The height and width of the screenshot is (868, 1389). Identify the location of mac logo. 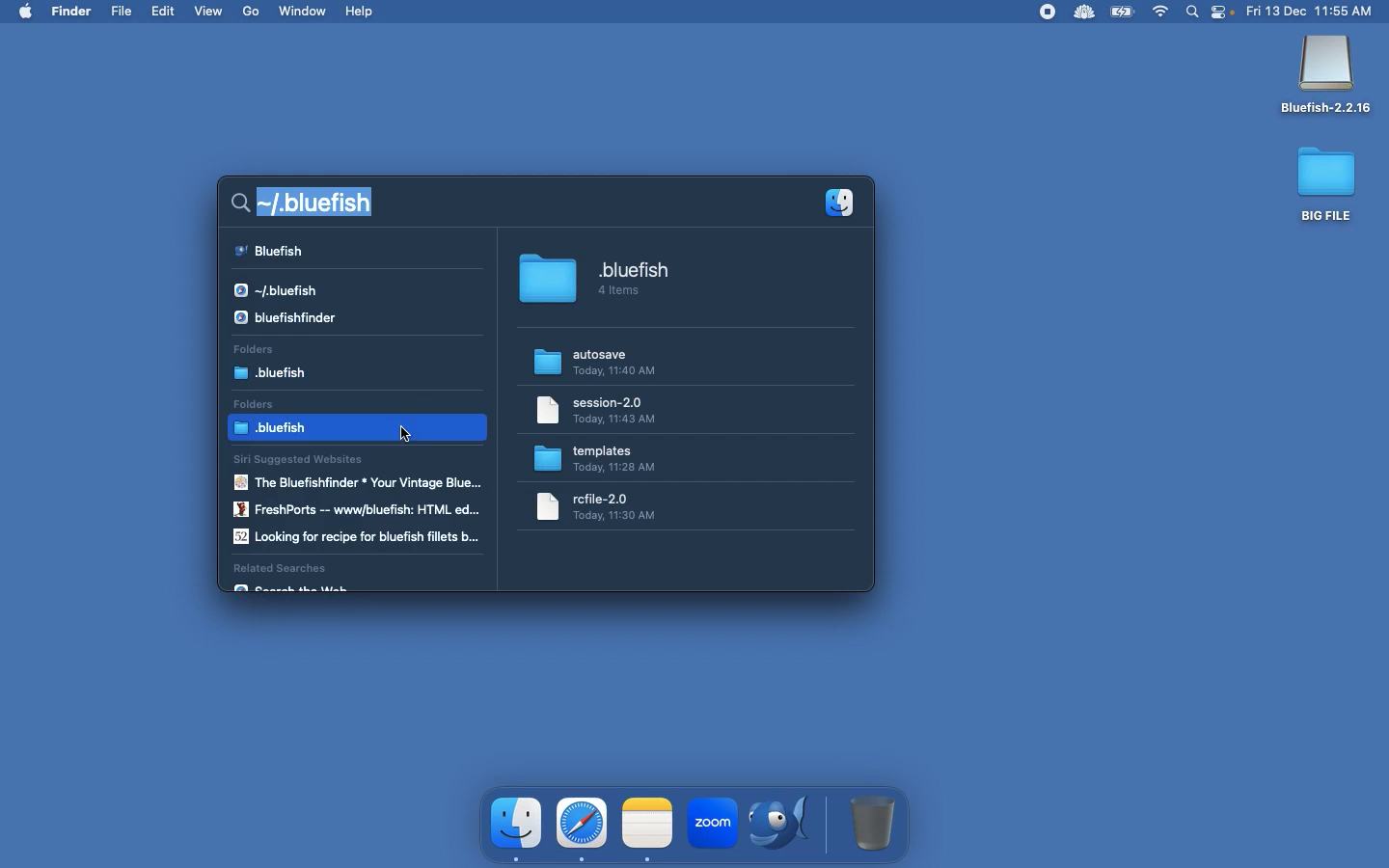
(25, 10).